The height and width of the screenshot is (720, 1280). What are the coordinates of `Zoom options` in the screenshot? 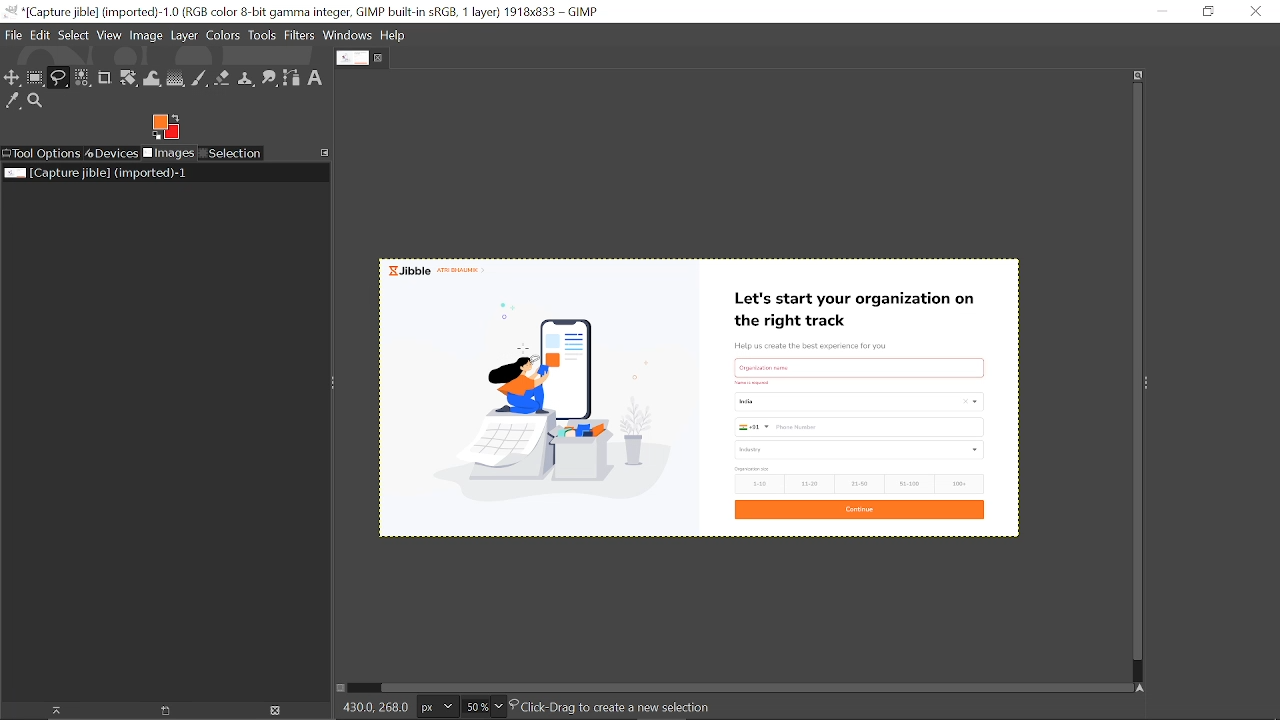 It's located at (499, 706).